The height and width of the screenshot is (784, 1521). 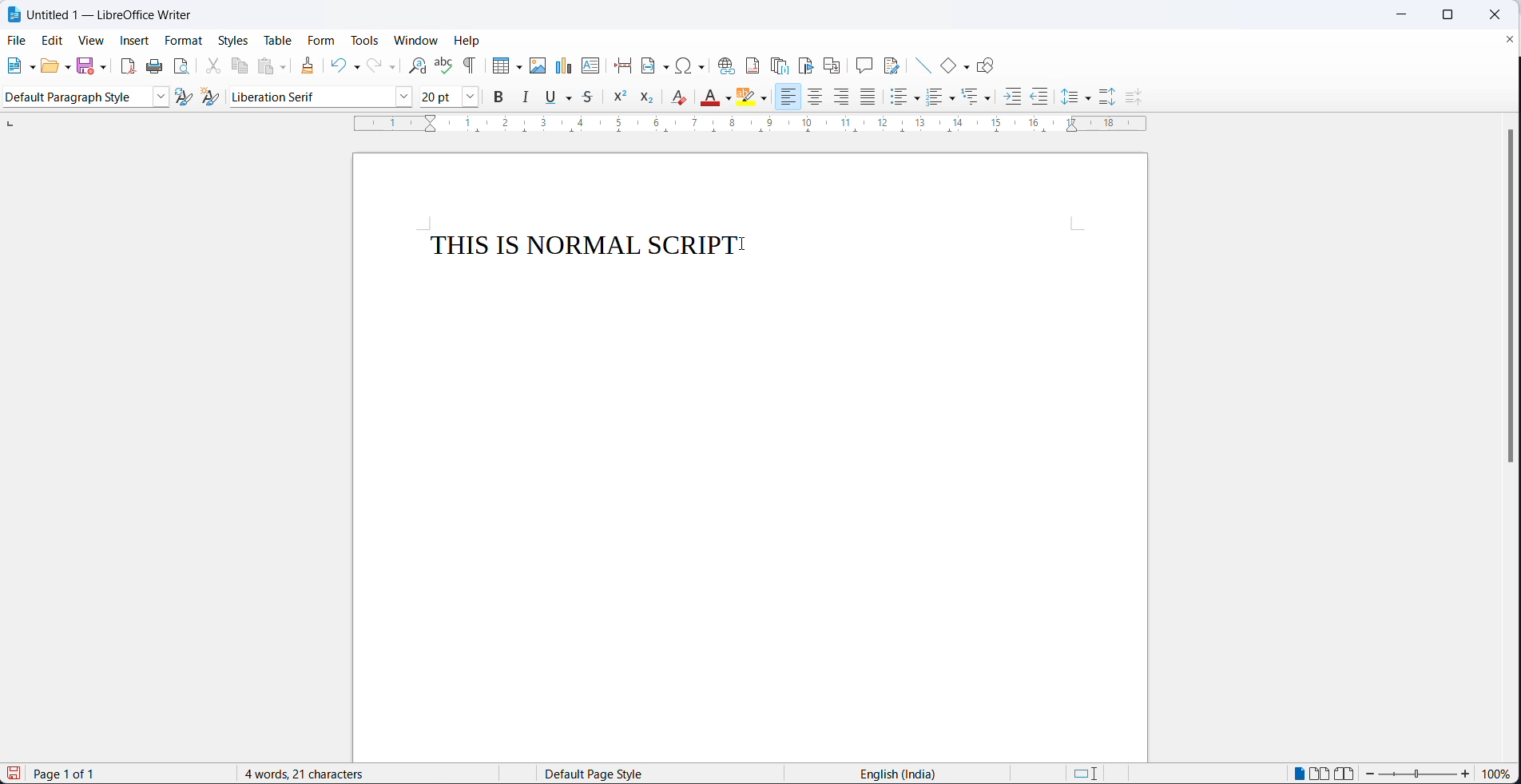 I want to click on insert footnote, so click(x=753, y=65).